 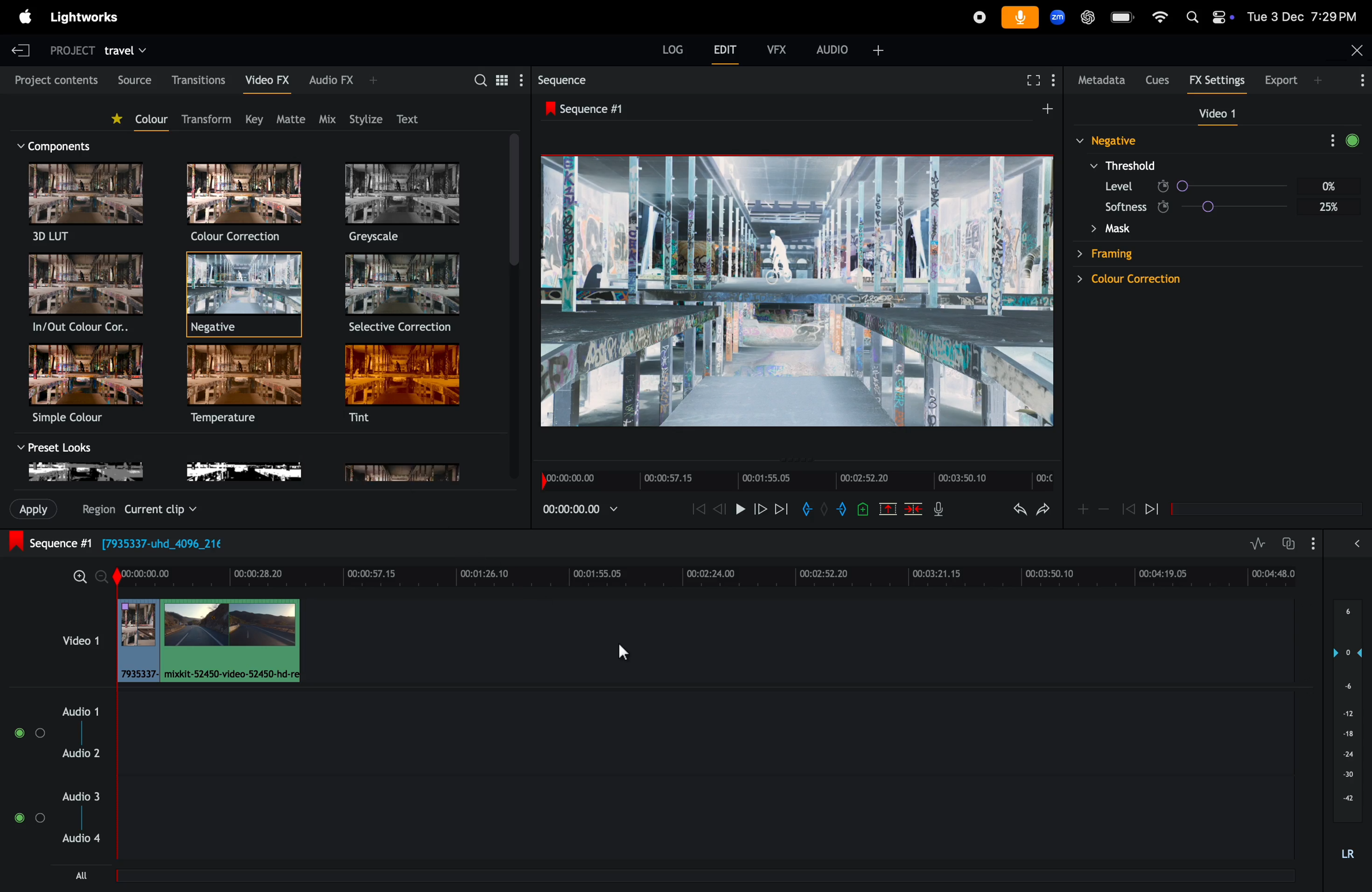 What do you see at coordinates (327, 118) in the screenshot?
I see `Mix` at bounding box center [327, 118].